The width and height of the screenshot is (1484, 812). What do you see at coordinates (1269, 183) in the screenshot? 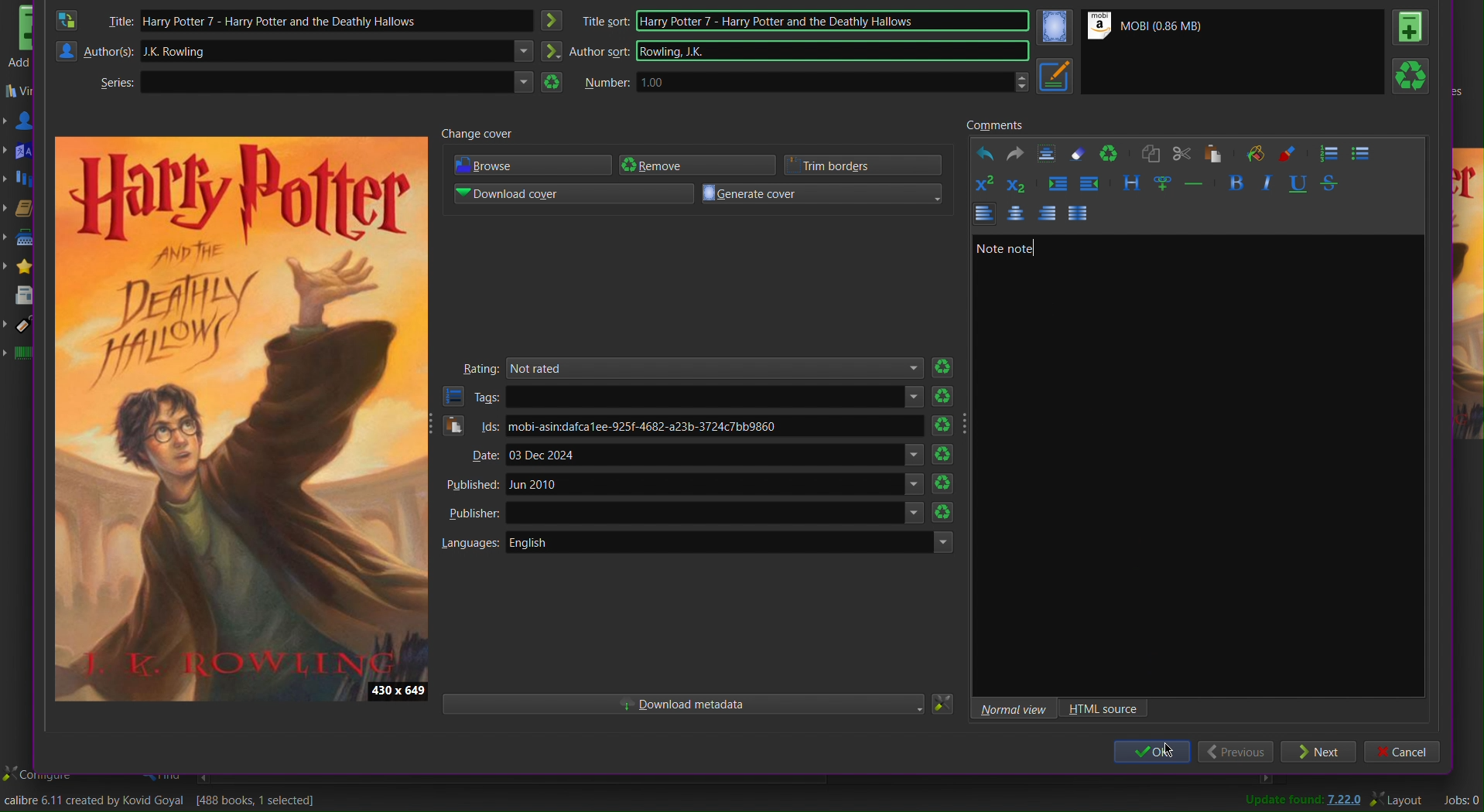
I see `Italics` at bounding box center [1269, 183].